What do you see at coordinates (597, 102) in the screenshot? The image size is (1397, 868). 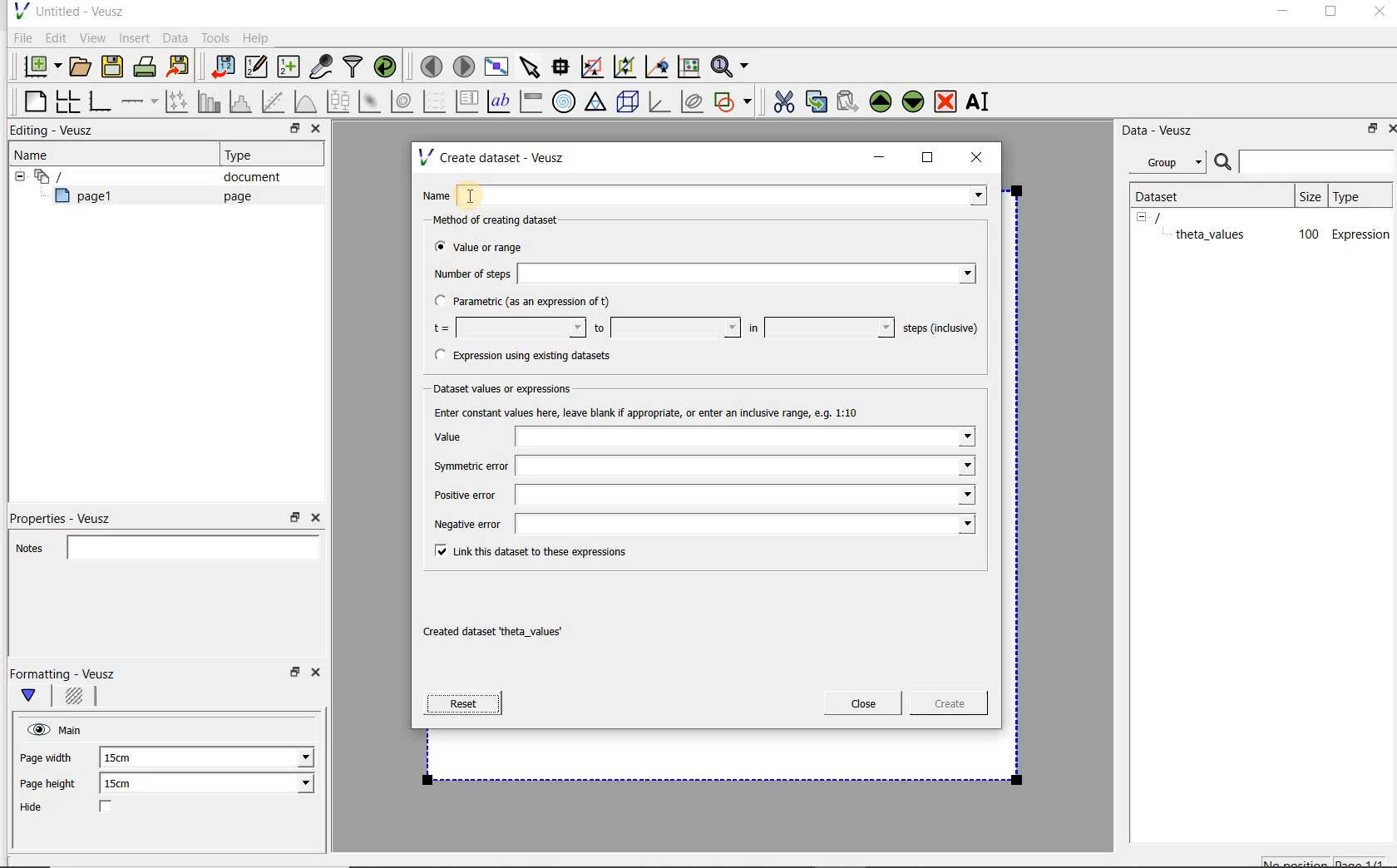 I see `ternary graph` at bounding box center [597, 102].